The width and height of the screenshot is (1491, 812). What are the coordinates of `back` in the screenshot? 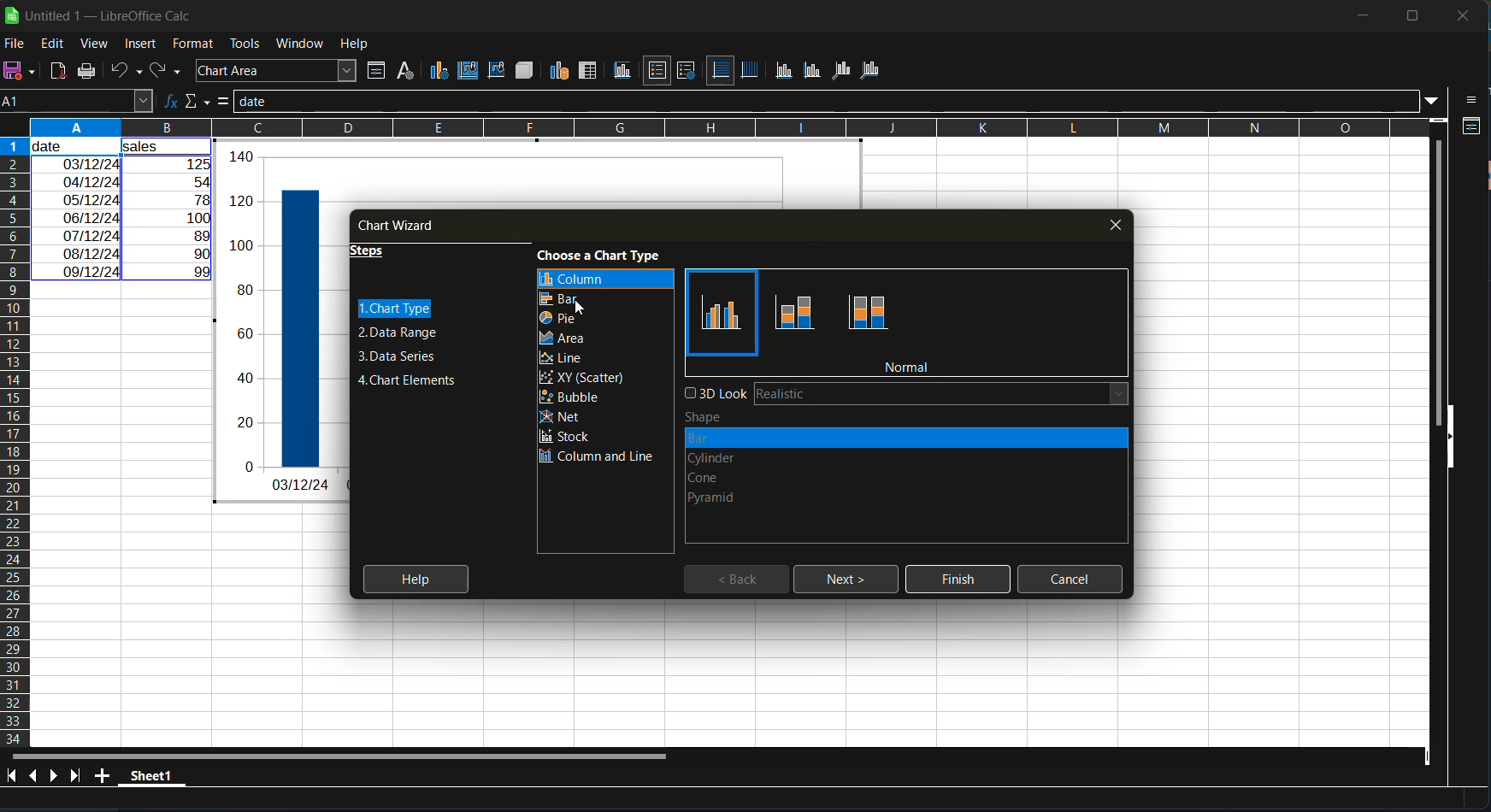 It's located at (744, 580).